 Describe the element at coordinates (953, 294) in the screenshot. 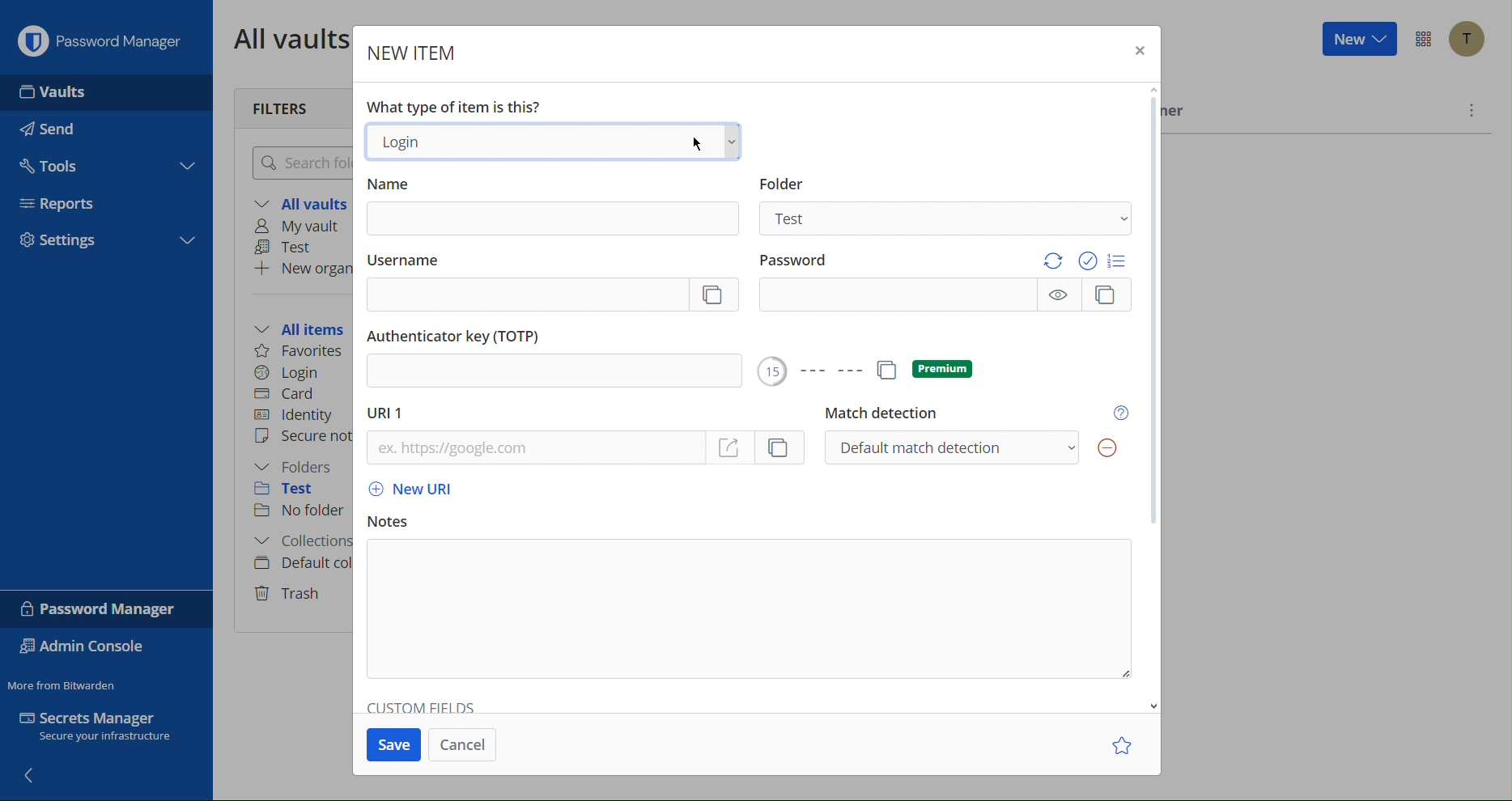

I see `Password` at that location.